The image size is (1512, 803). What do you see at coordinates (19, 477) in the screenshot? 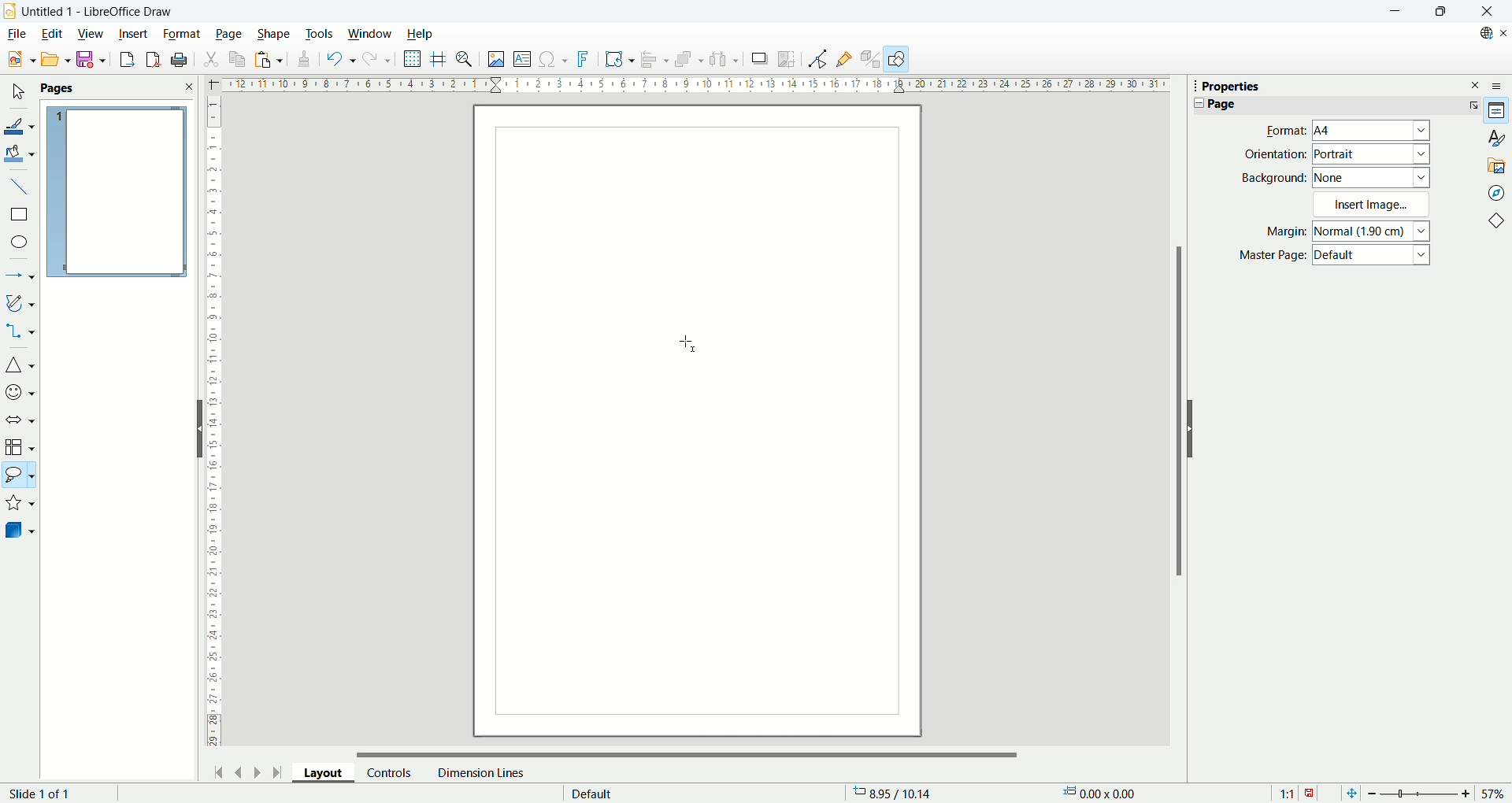
I see `callout shapes` at bounding box center [19, 477].